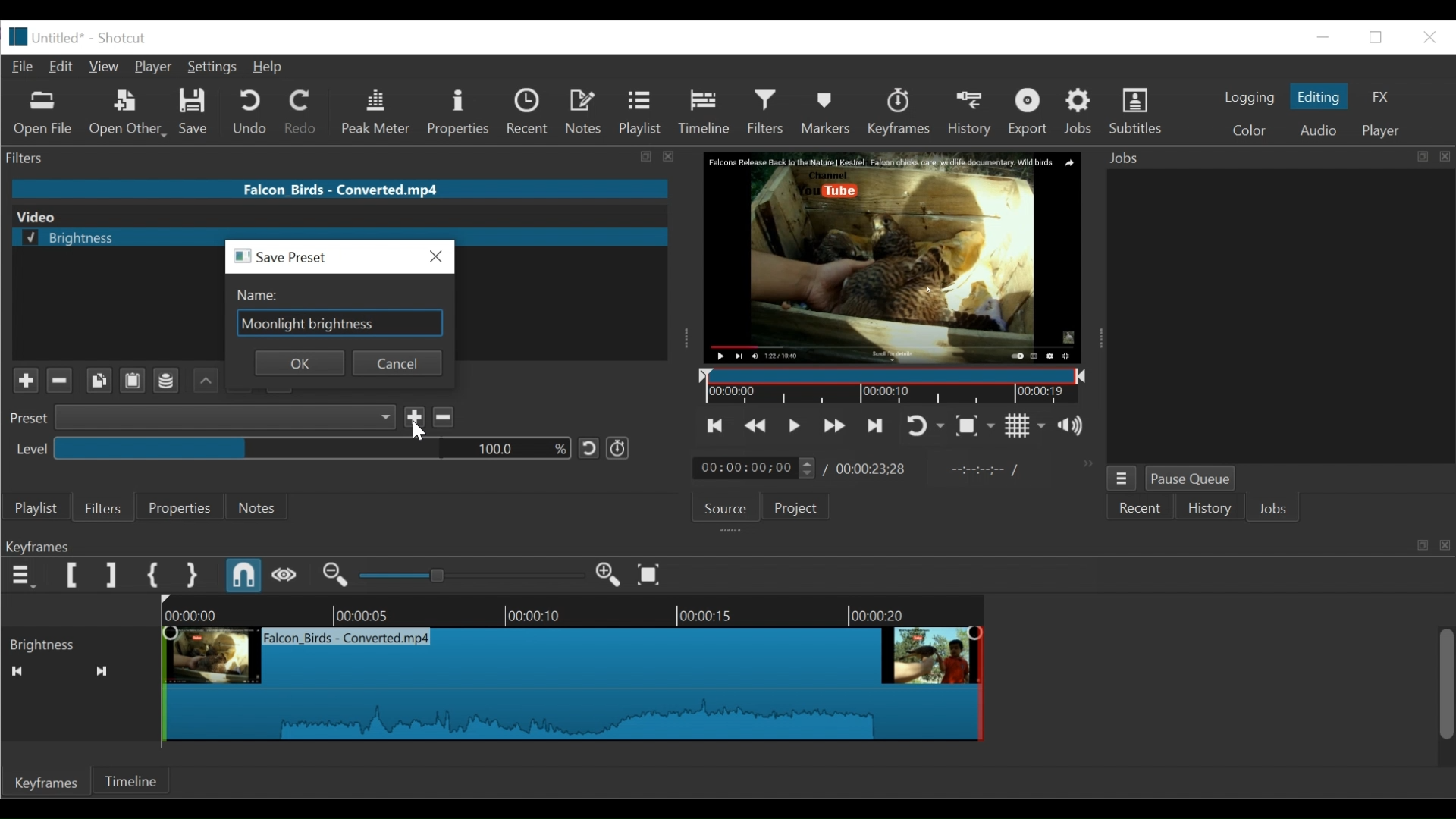 Image resolution: width=1456 pixels, height=819 pixels. I want to click on Copy, so click(97, 381).